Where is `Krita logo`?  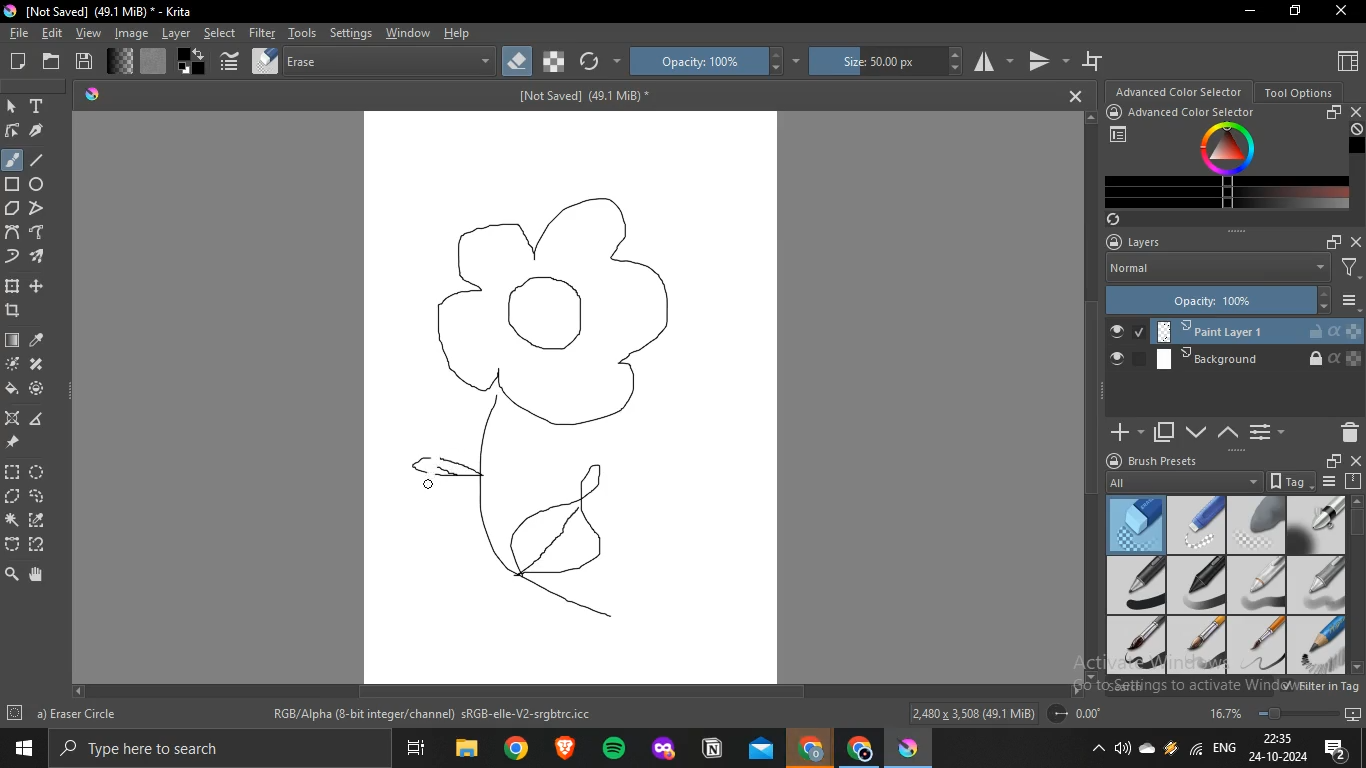
Krita logo is located at coordinates (91, 93).